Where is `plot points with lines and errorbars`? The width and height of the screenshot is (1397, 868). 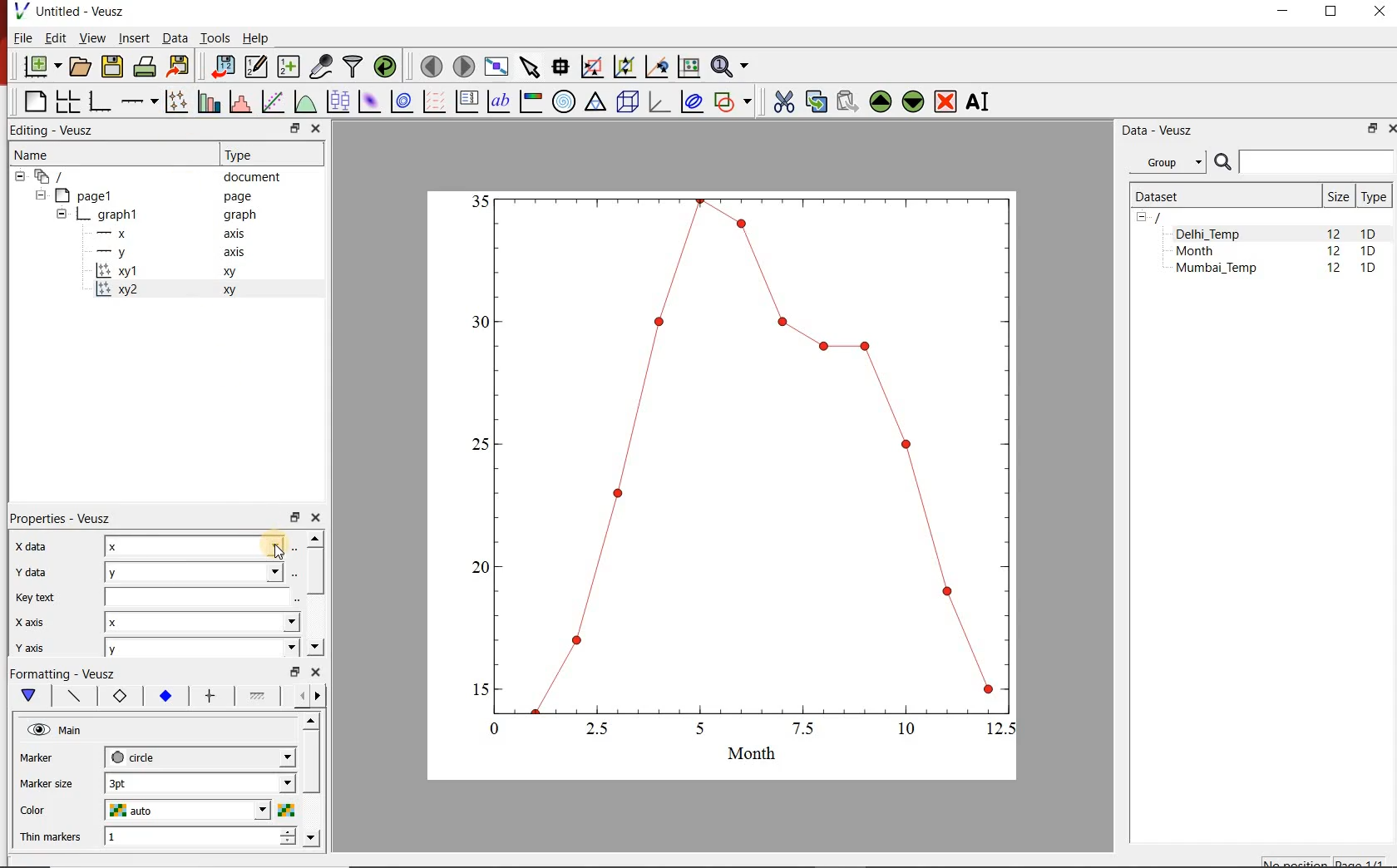 plot points with lines and errorbars is located at coordinates (175, 102).